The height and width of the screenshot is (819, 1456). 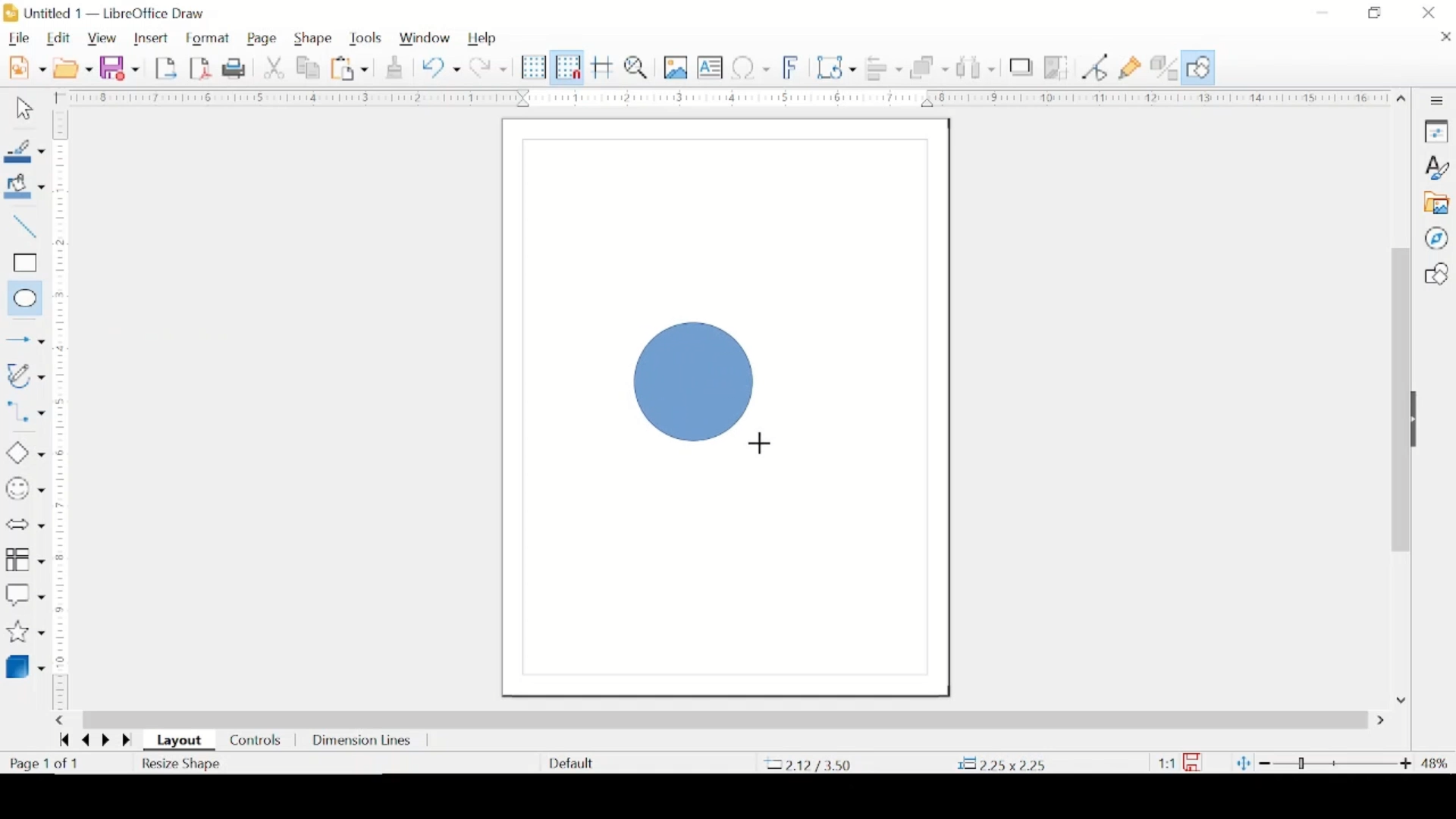 What do you see at coordinates (566, 67) in the screenshot?
I see `snap to grid` at bounding box center [566, 67].